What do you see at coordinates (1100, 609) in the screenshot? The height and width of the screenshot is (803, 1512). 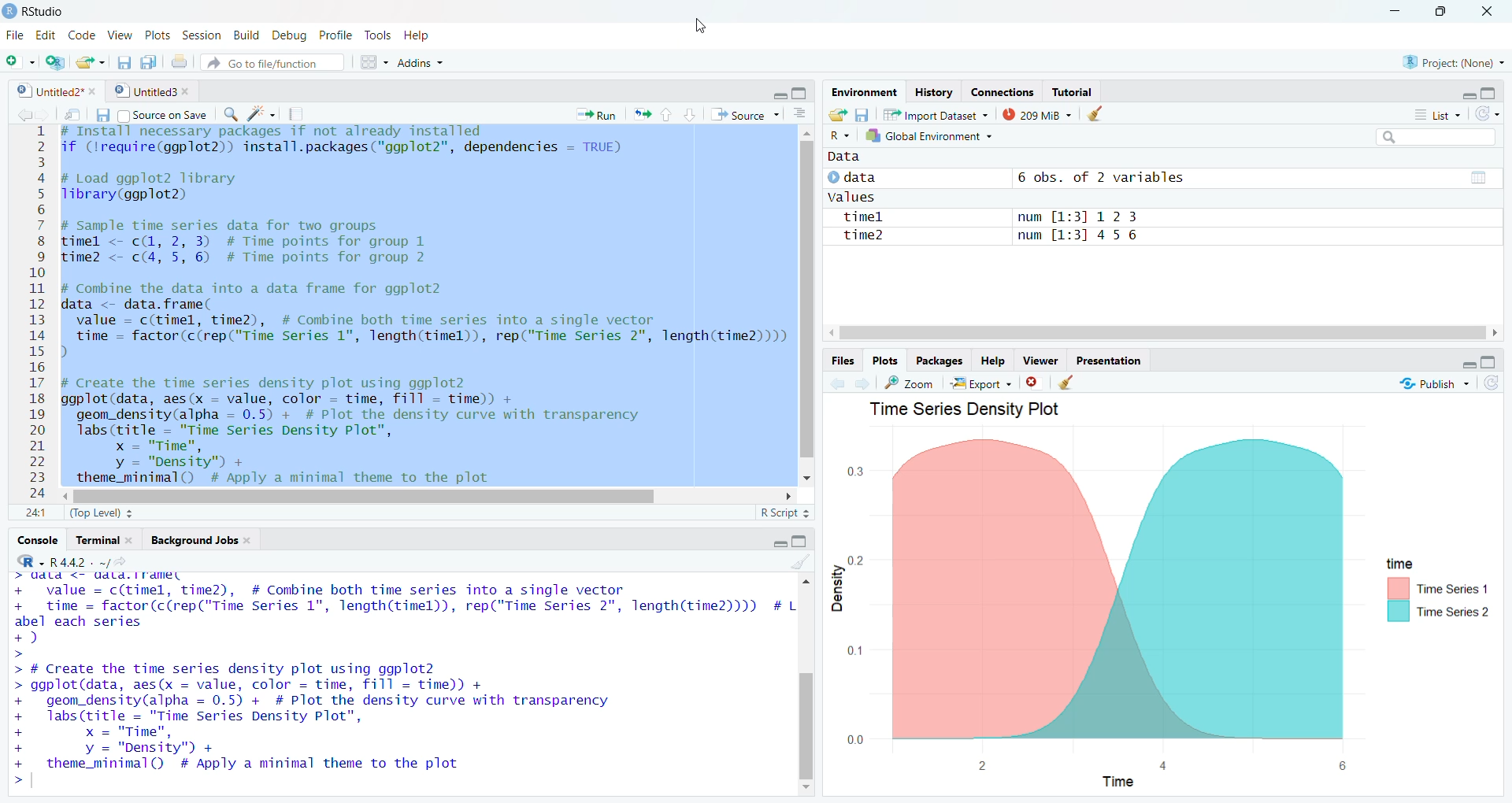 I see `Graph` at bounding box center [1100, 609].